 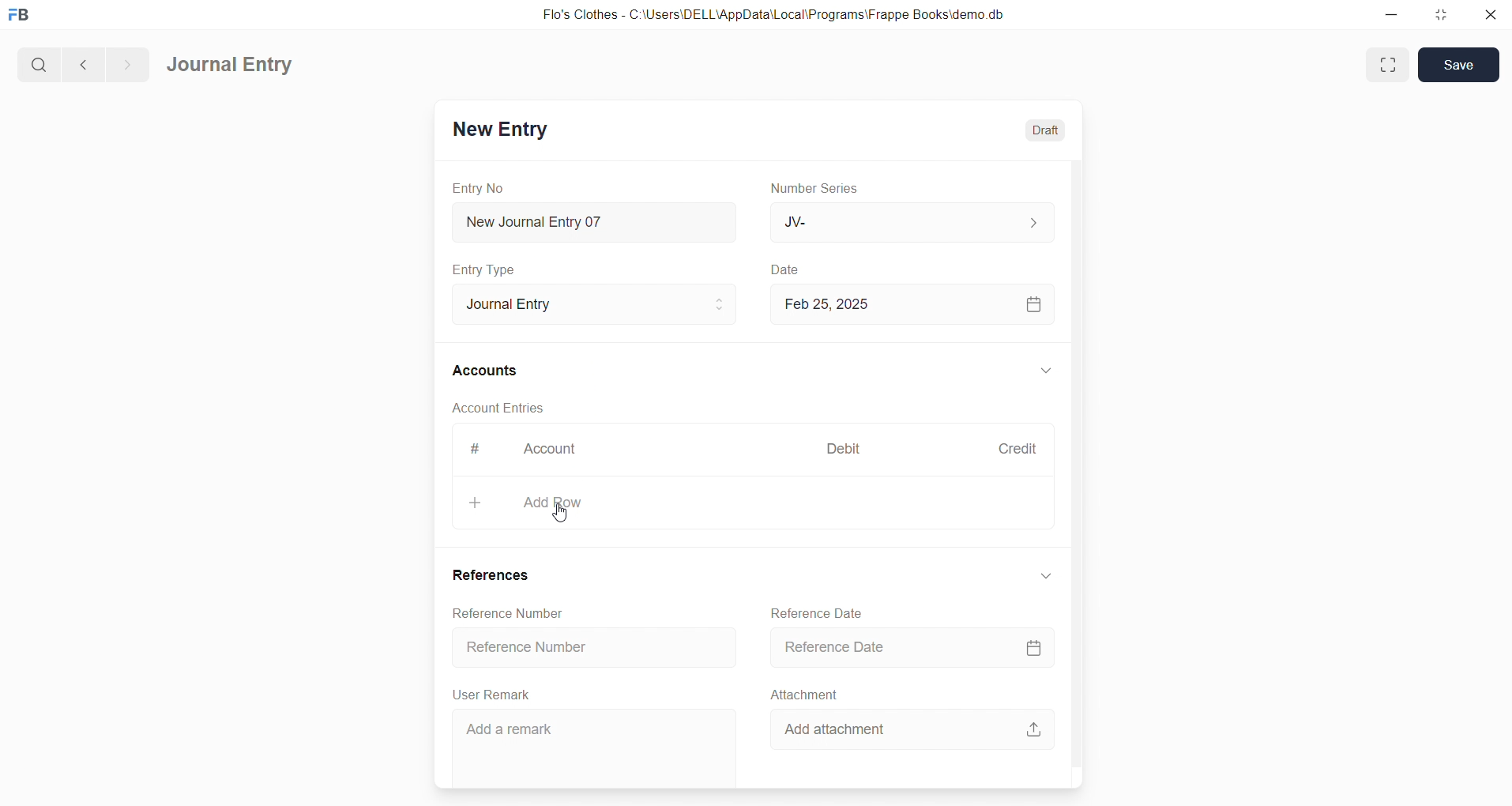 I want to click on Journal Entry, so click(x=231, y=66).